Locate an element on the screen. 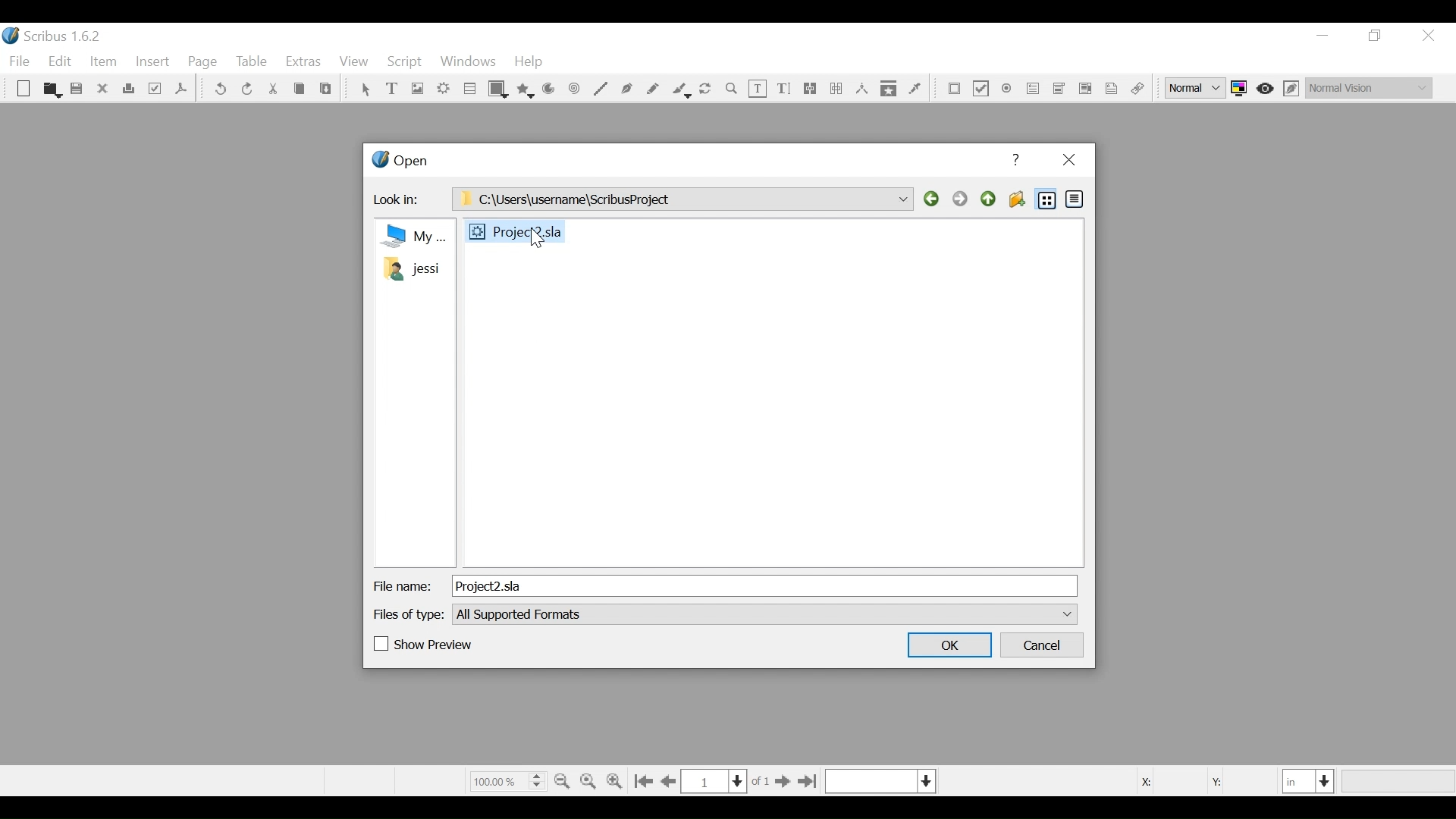 The width and height of the screenshot is (1456, 819). Bezier curve is located at coordinates (627, 89).